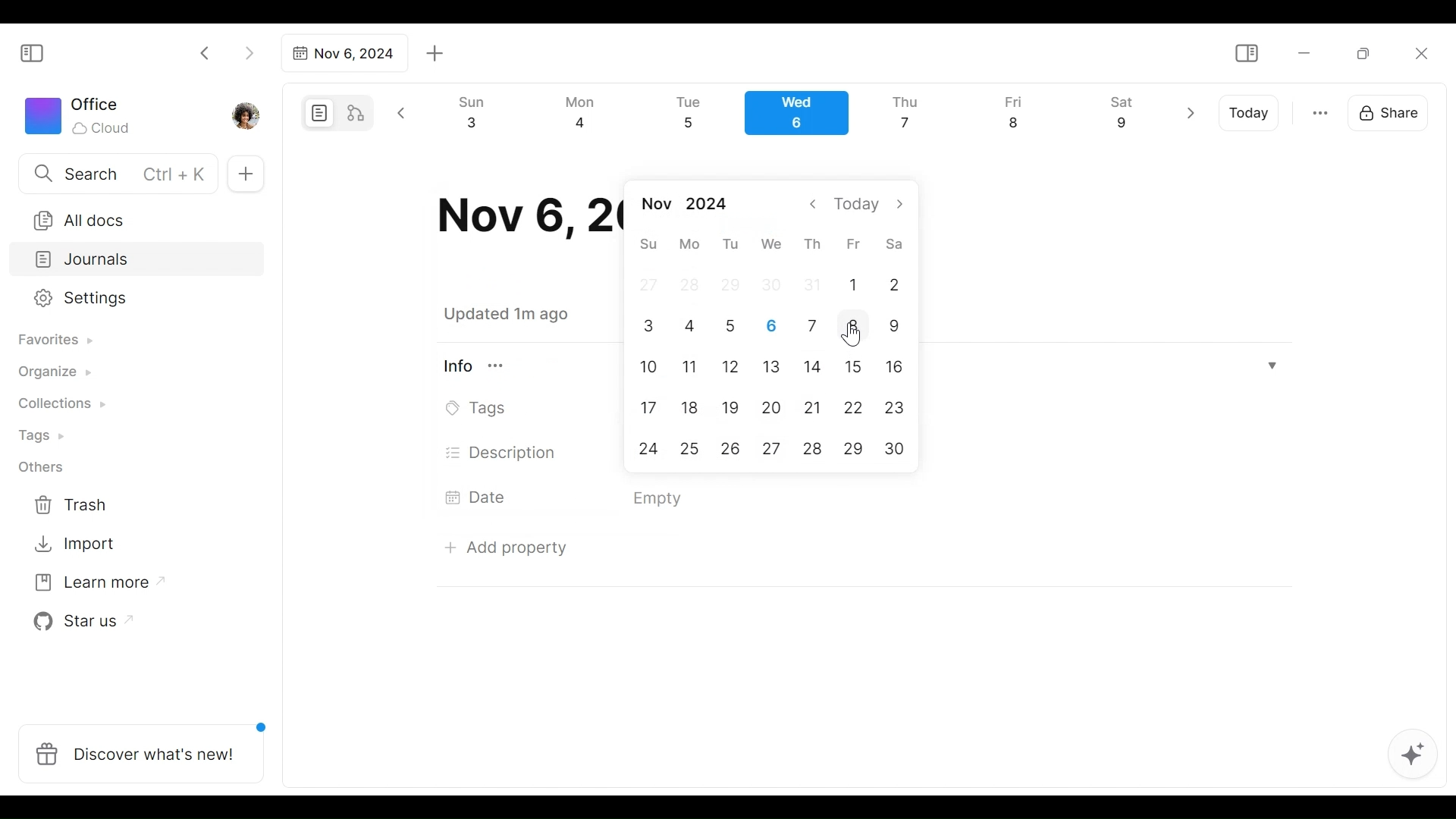 Image resolution: width=1456 pixels, height=819 pixels. What do you see at coordinates (1442, 431) in the screenshot?
I see `vertical scrollbar` at bounding box center [1442, 431].